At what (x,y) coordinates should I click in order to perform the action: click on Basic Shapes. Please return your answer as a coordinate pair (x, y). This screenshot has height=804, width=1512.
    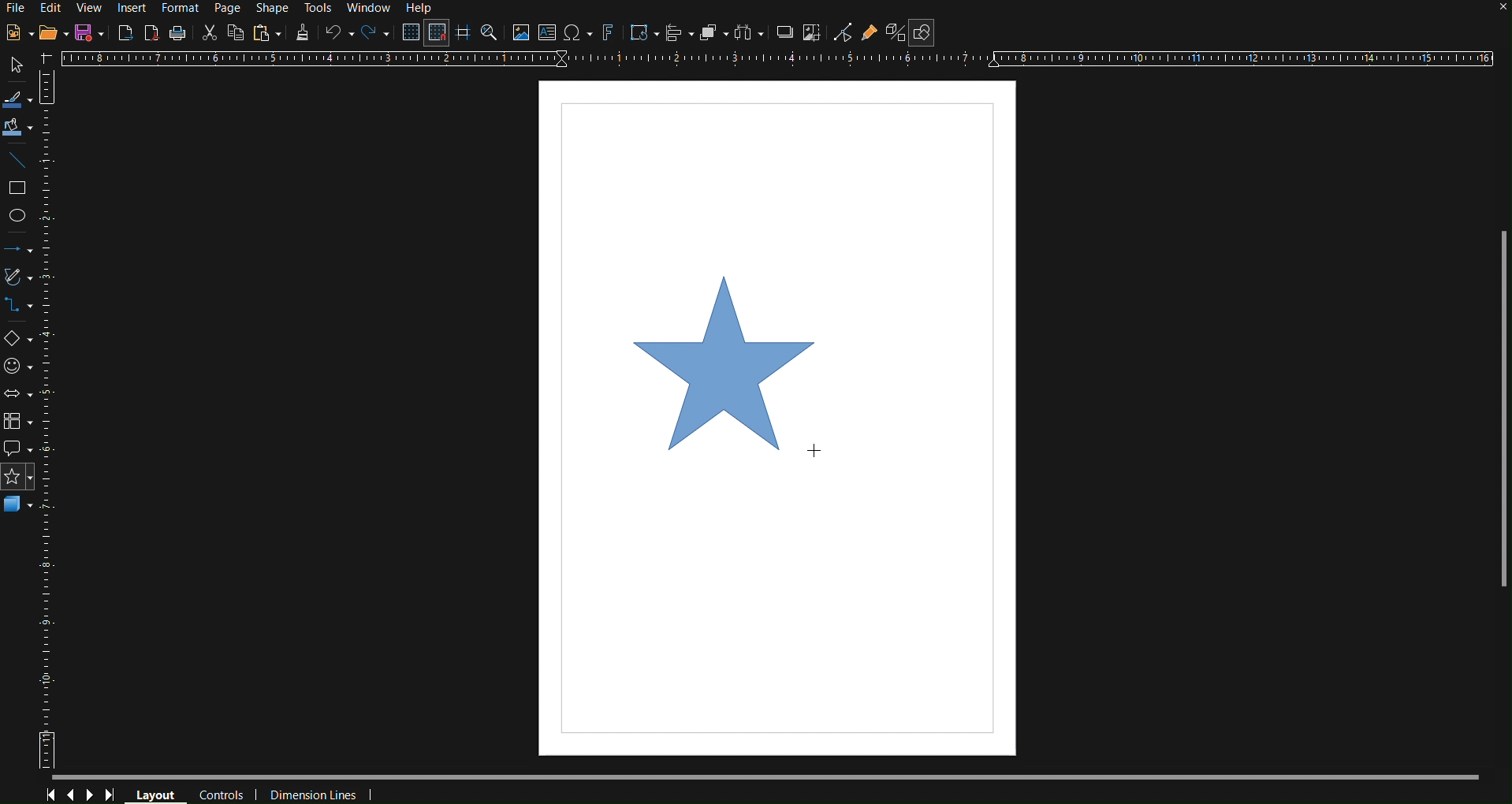
    Looking at the image, I should click on (19, 341).